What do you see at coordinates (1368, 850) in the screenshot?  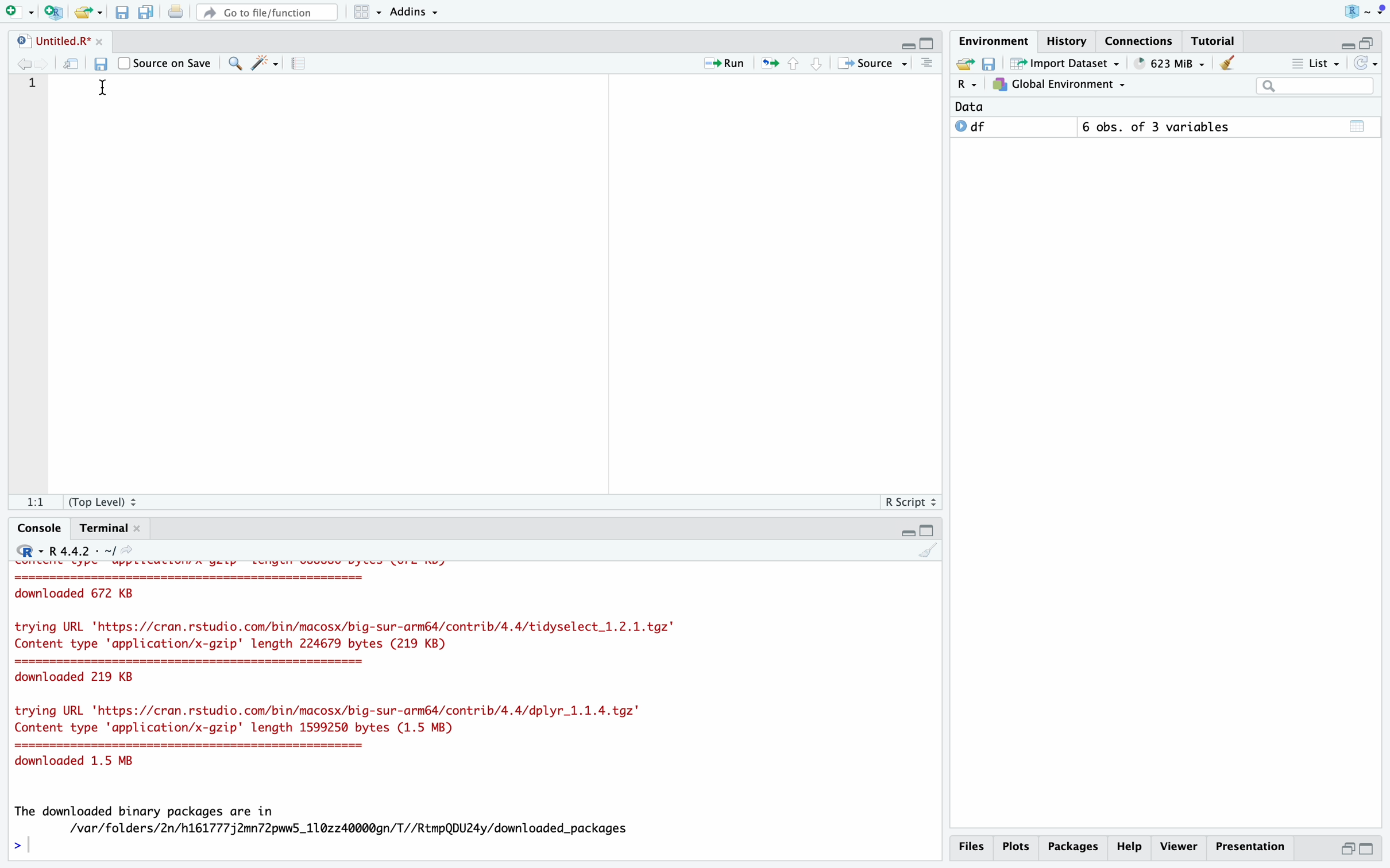 I see `Full Height` at bounding box center [1368, 850].